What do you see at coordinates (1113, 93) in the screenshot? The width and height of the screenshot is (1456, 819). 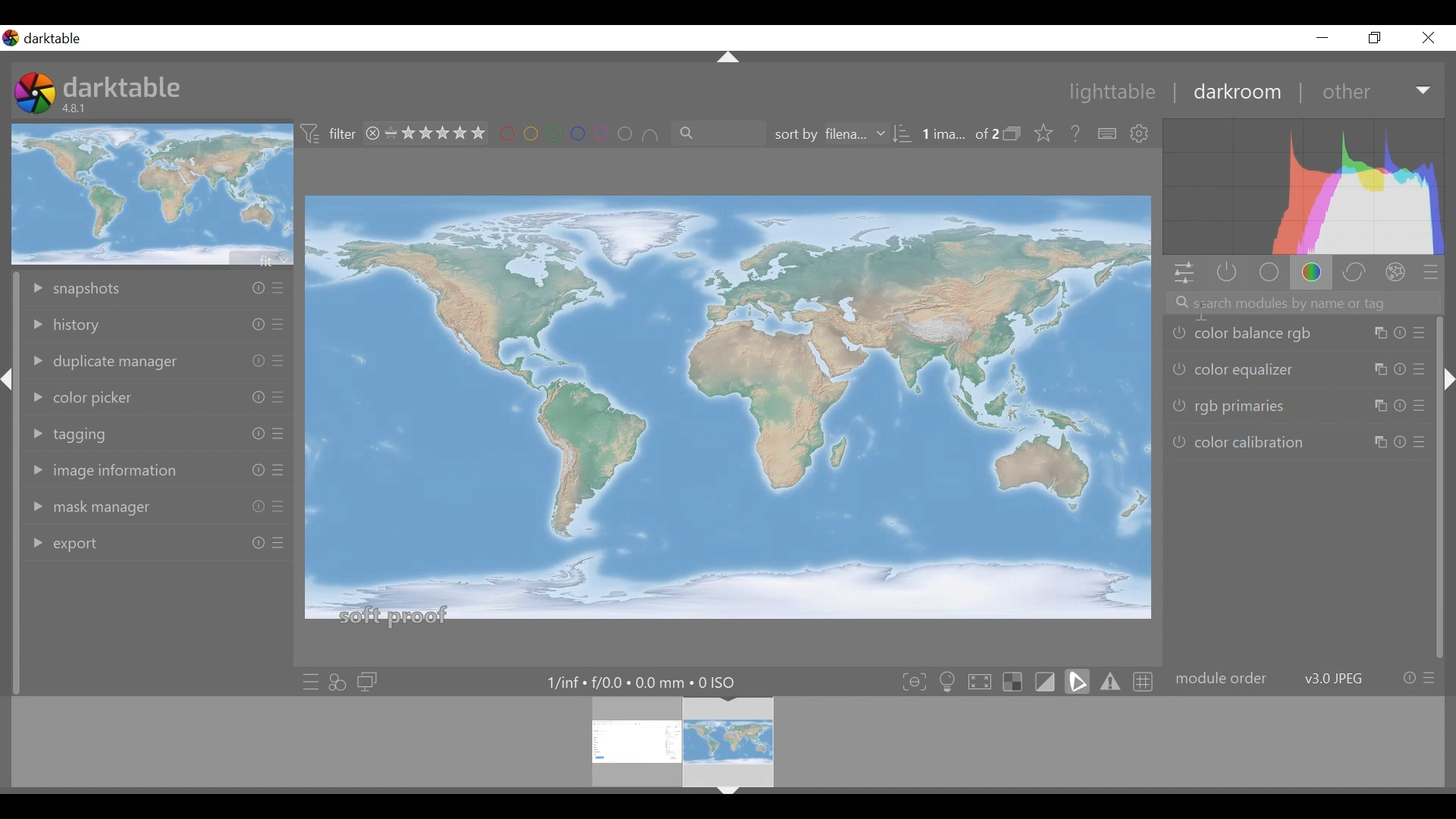 I see `lighttable` at bounding box center [1113, 93].